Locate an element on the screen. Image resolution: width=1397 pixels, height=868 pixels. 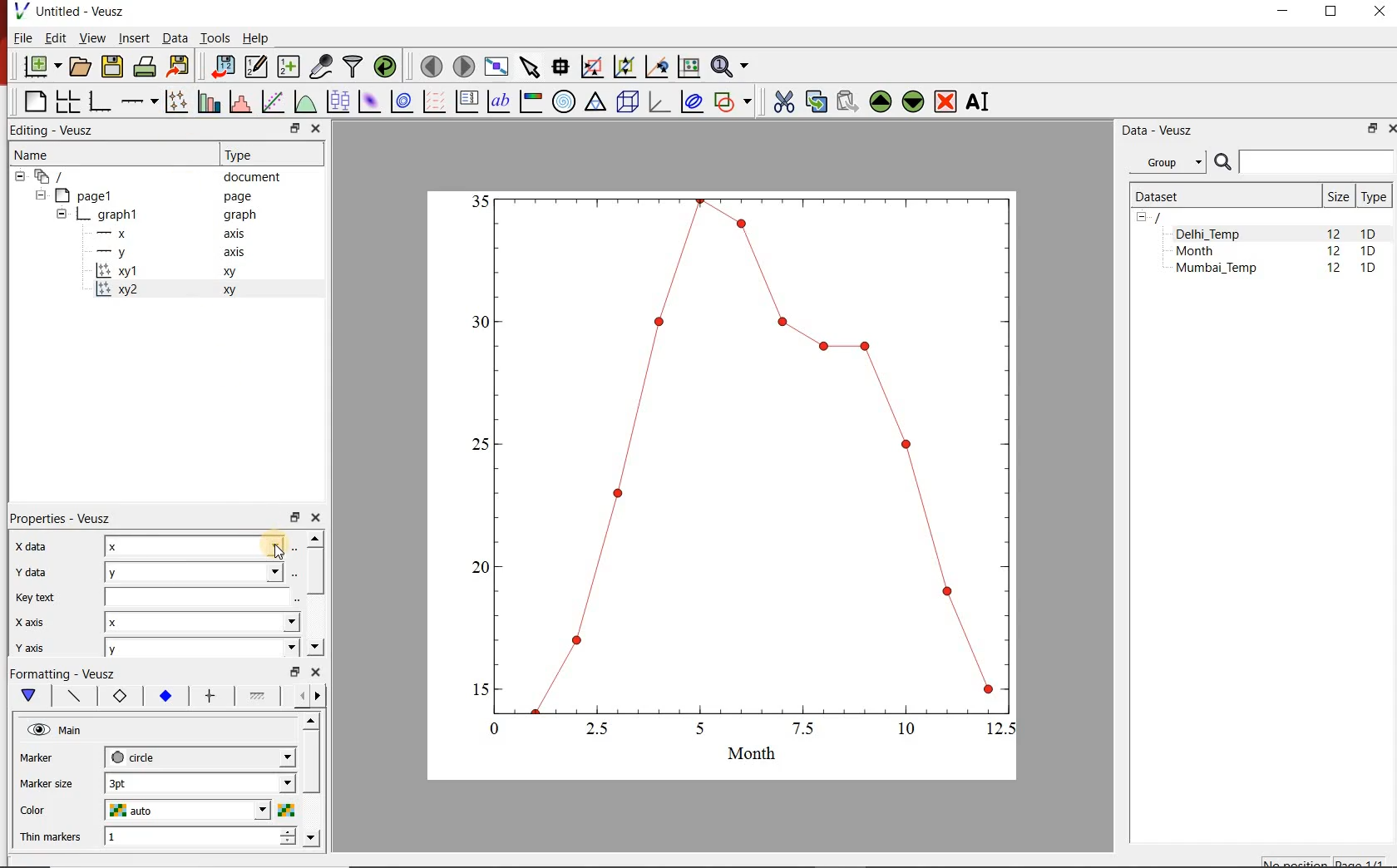
y is located at coordinates (201, 649).